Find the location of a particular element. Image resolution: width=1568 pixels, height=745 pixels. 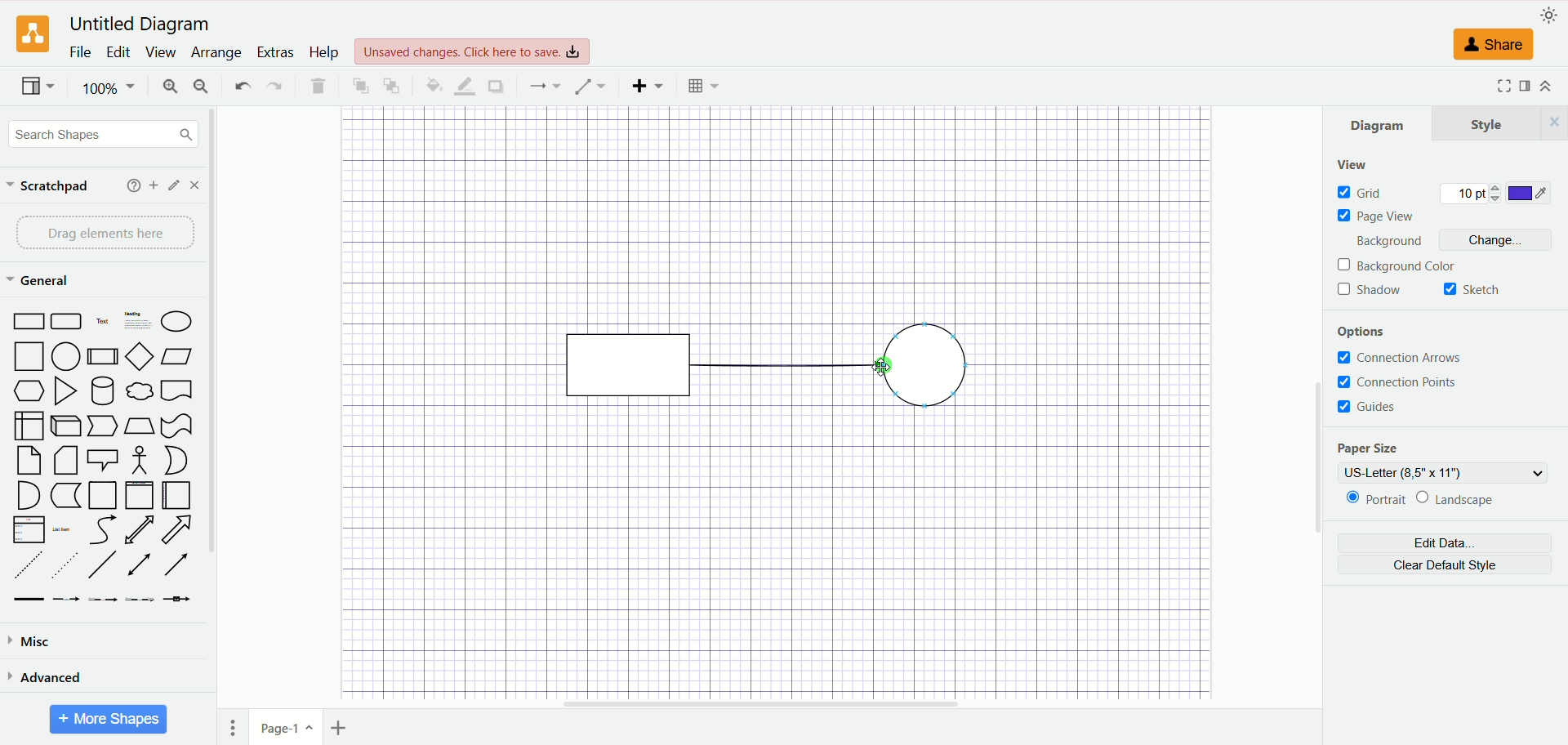

Text is located at coordinates (102, 321).